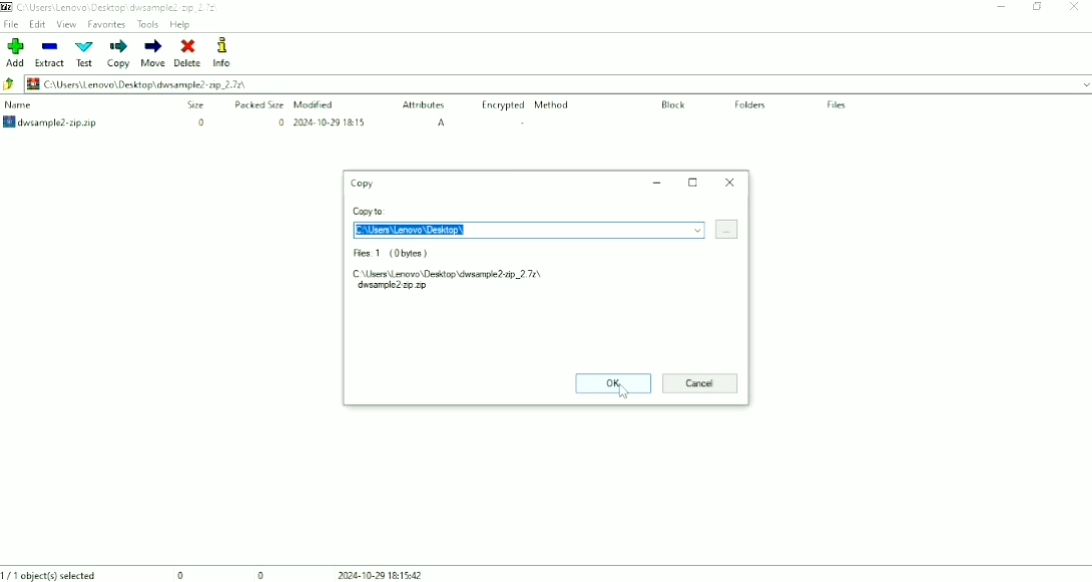  What do you see at coordinates (674, 105) in the screenshot?
I see `Block` at bounding box center [674, 105].